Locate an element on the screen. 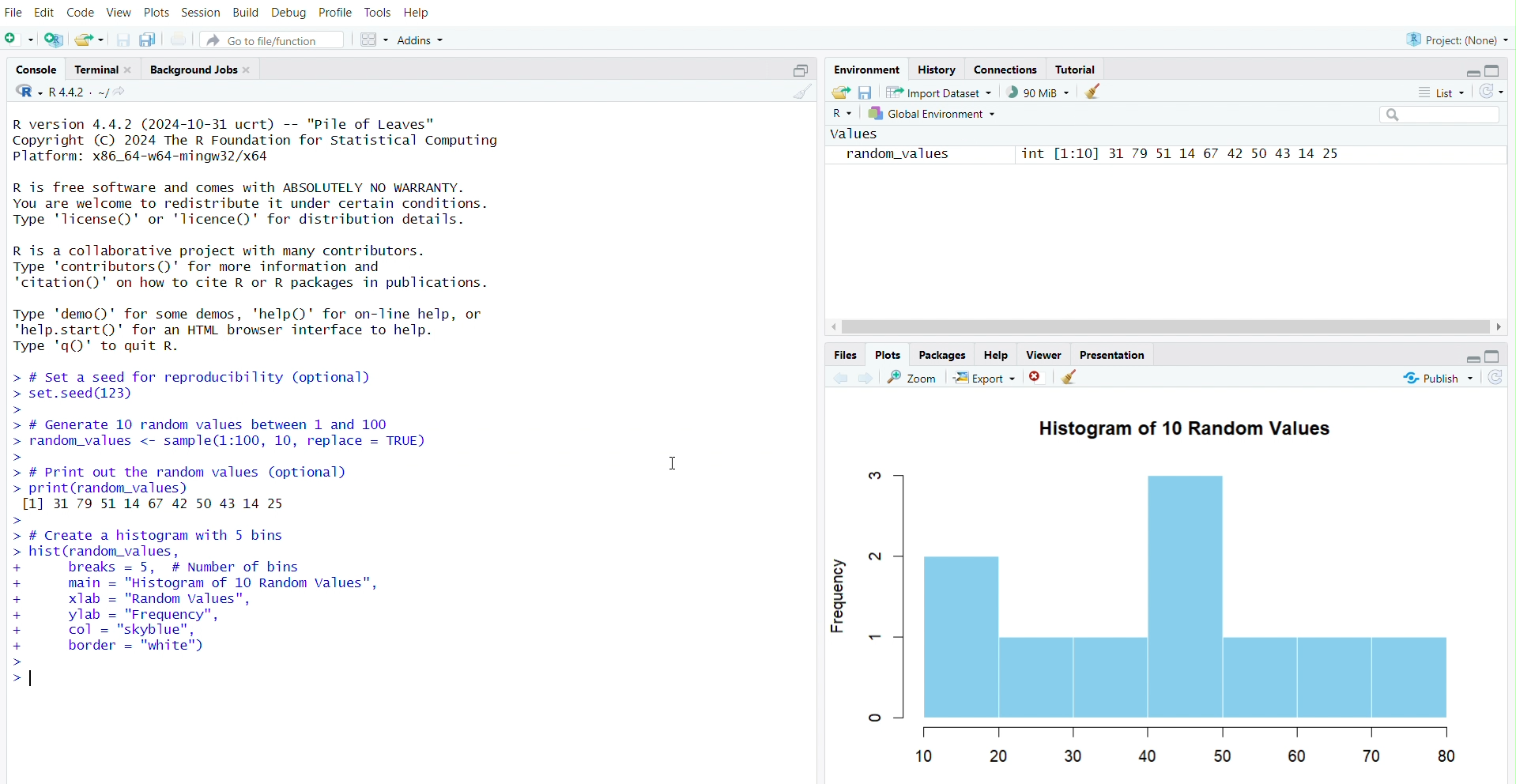 This screenshot has width=1516, height=784. global environment is located at coordinates (938, 115).